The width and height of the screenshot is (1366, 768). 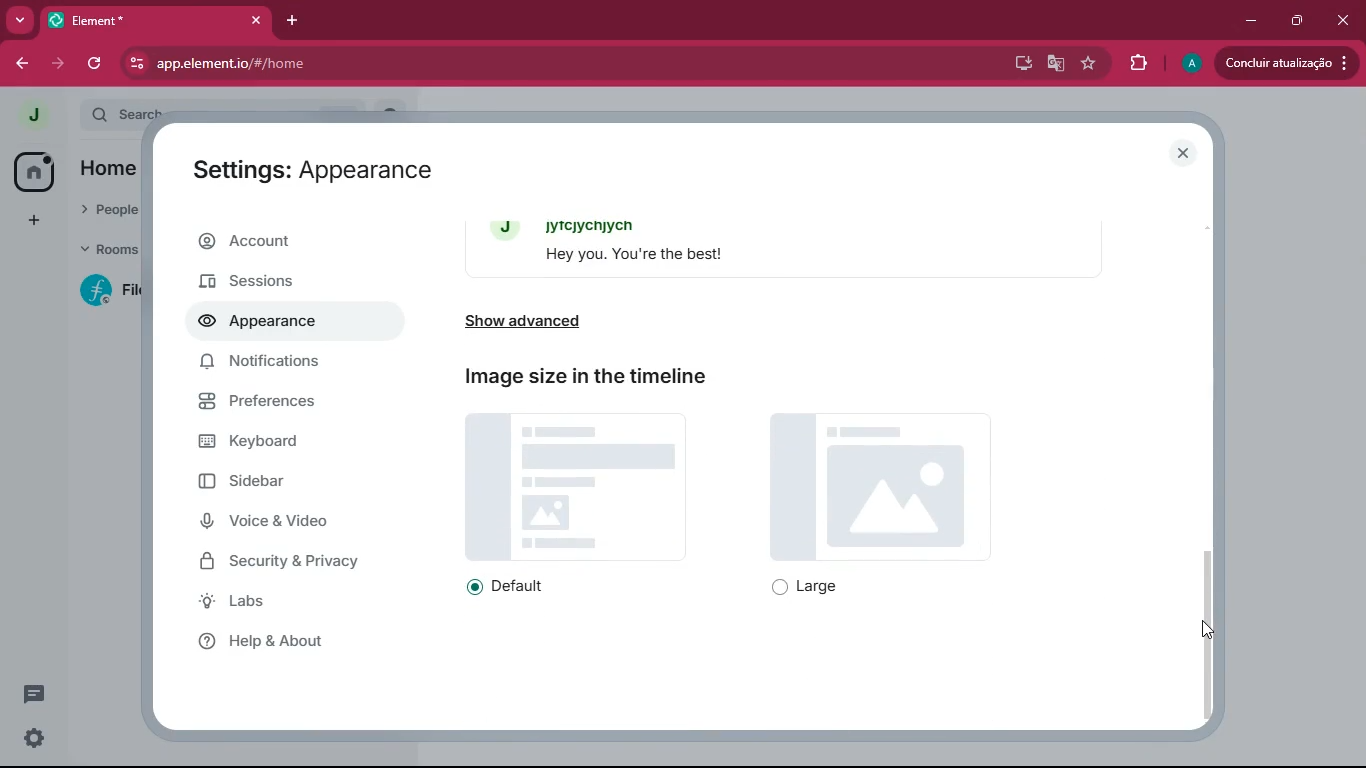 What do you see at coordinates (793, 246) in the screenshot?
I see `message bubbles` at bounding box center [793, 246].